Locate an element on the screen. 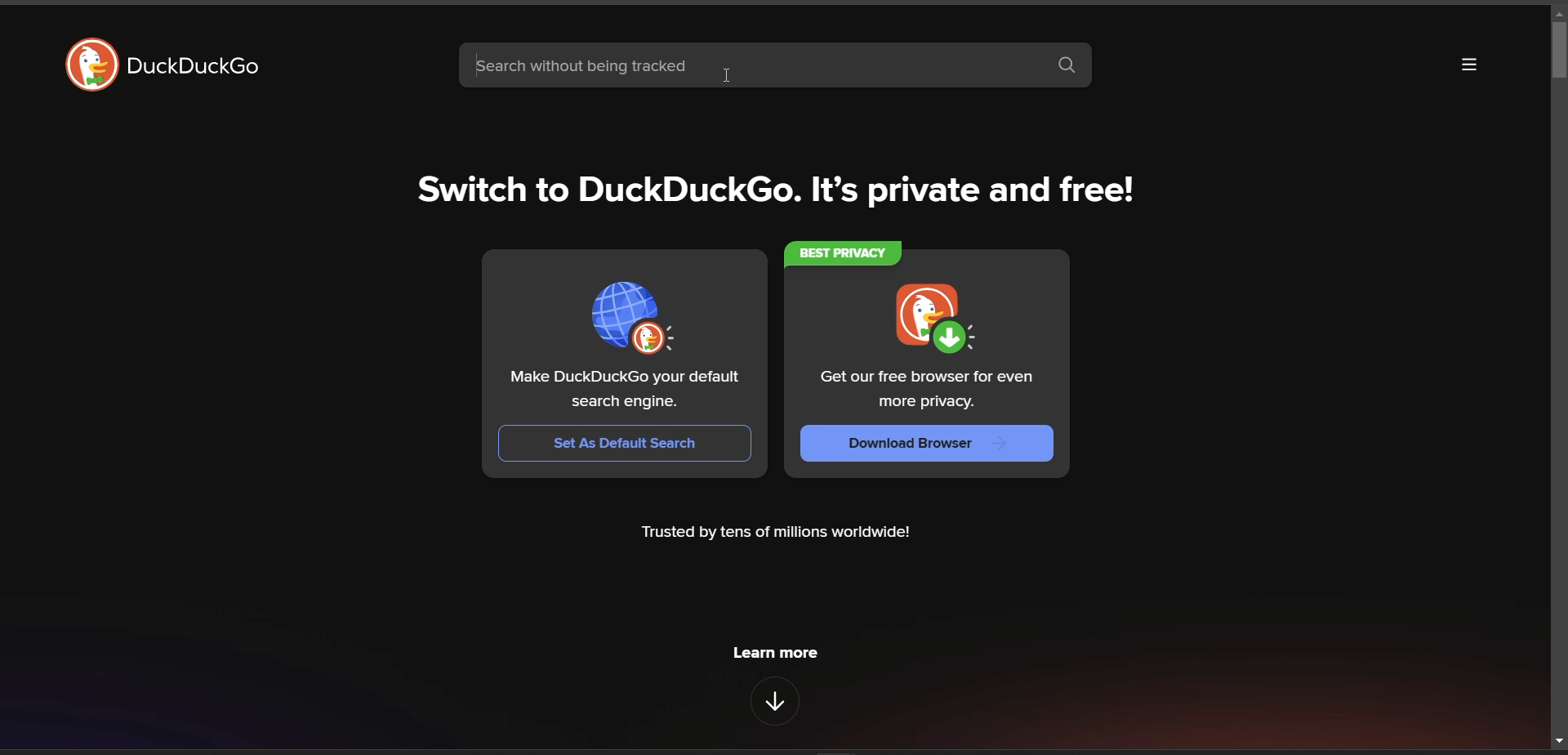 Image resolution: width=1568 pixels, height=755 pixels. learn more is located at coordinates (775, 651).